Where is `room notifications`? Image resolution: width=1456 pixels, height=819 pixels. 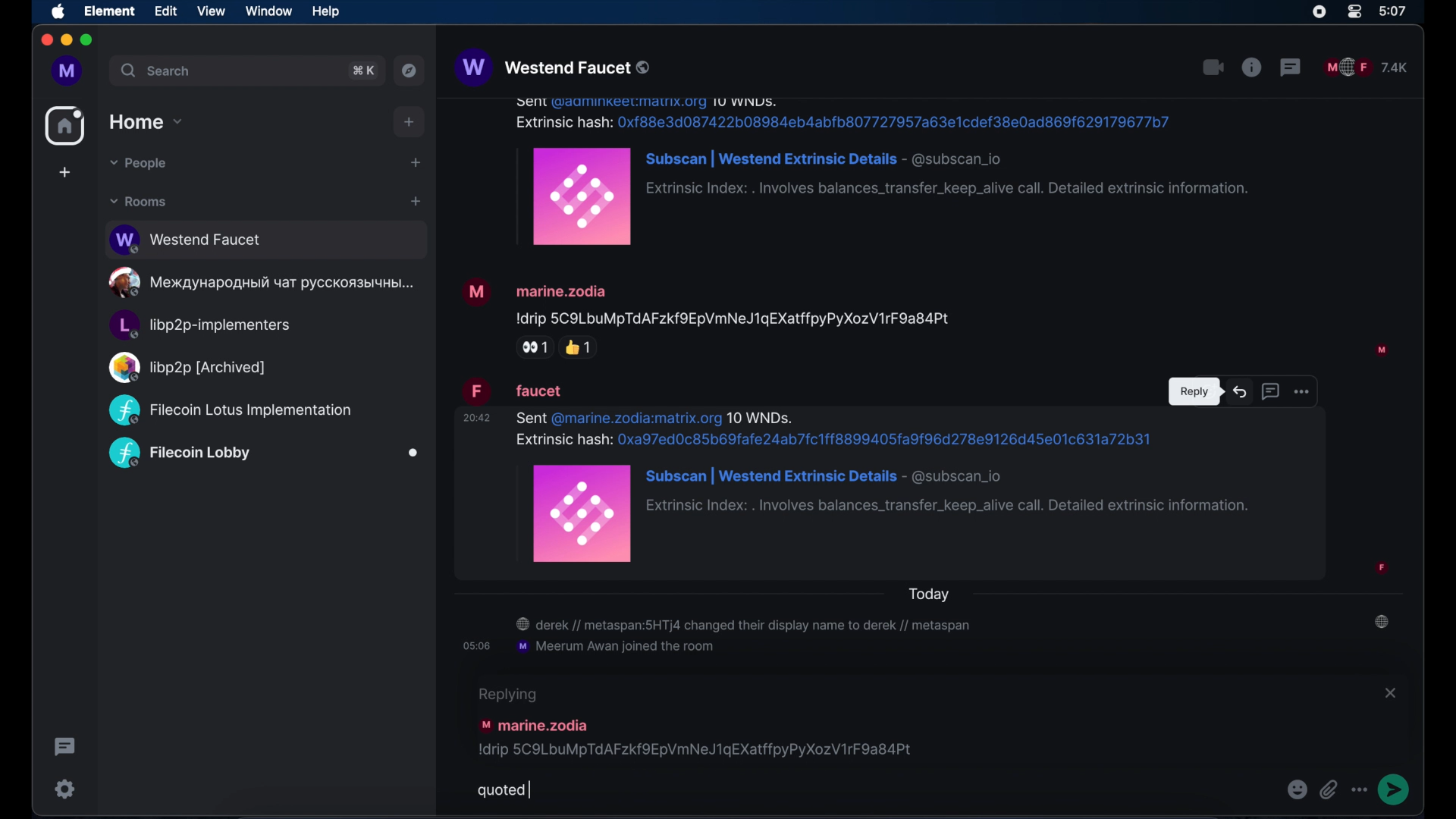
room notifications is located at coordinates (932, 637).